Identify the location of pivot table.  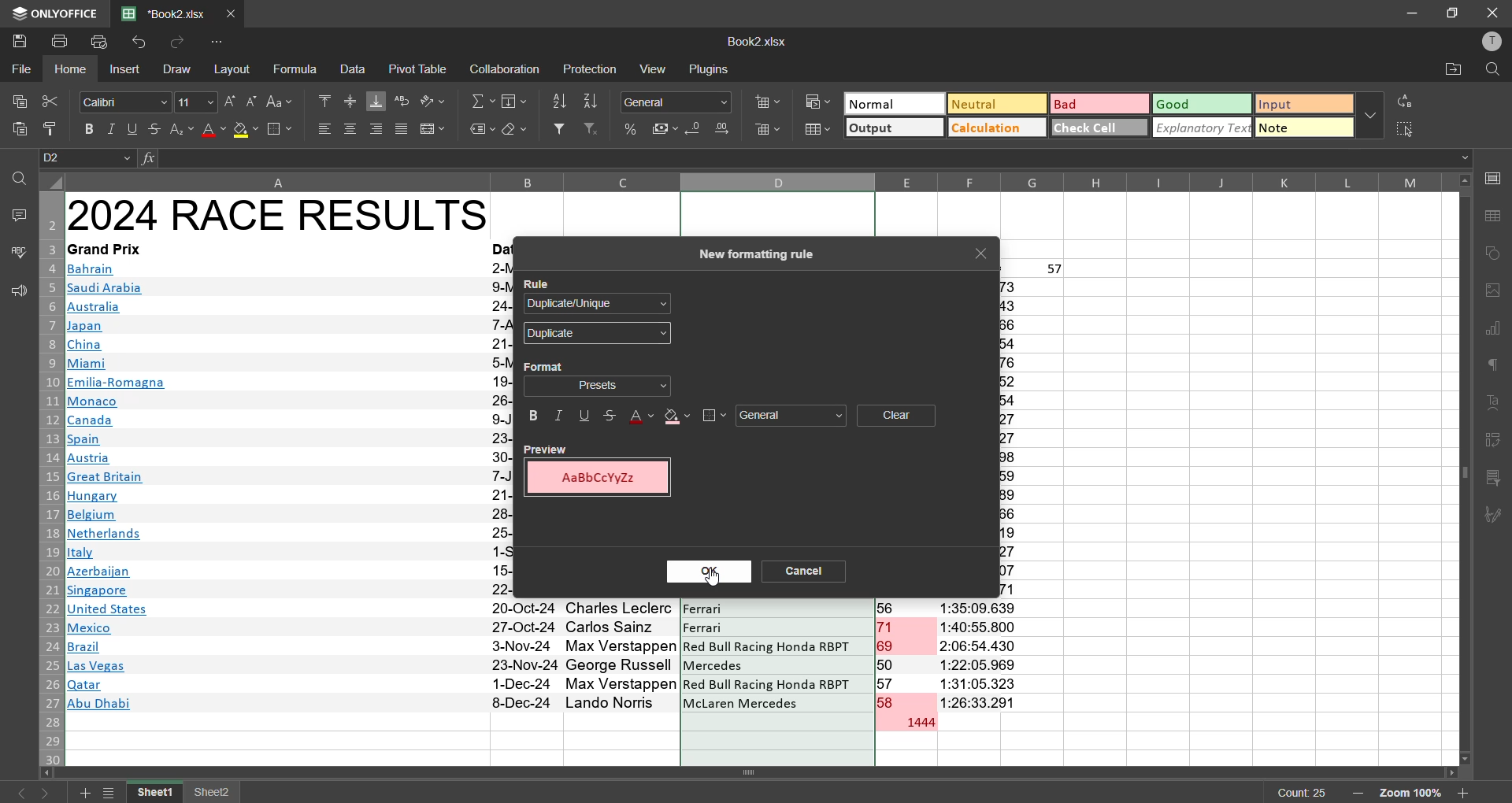
(1494, 443).